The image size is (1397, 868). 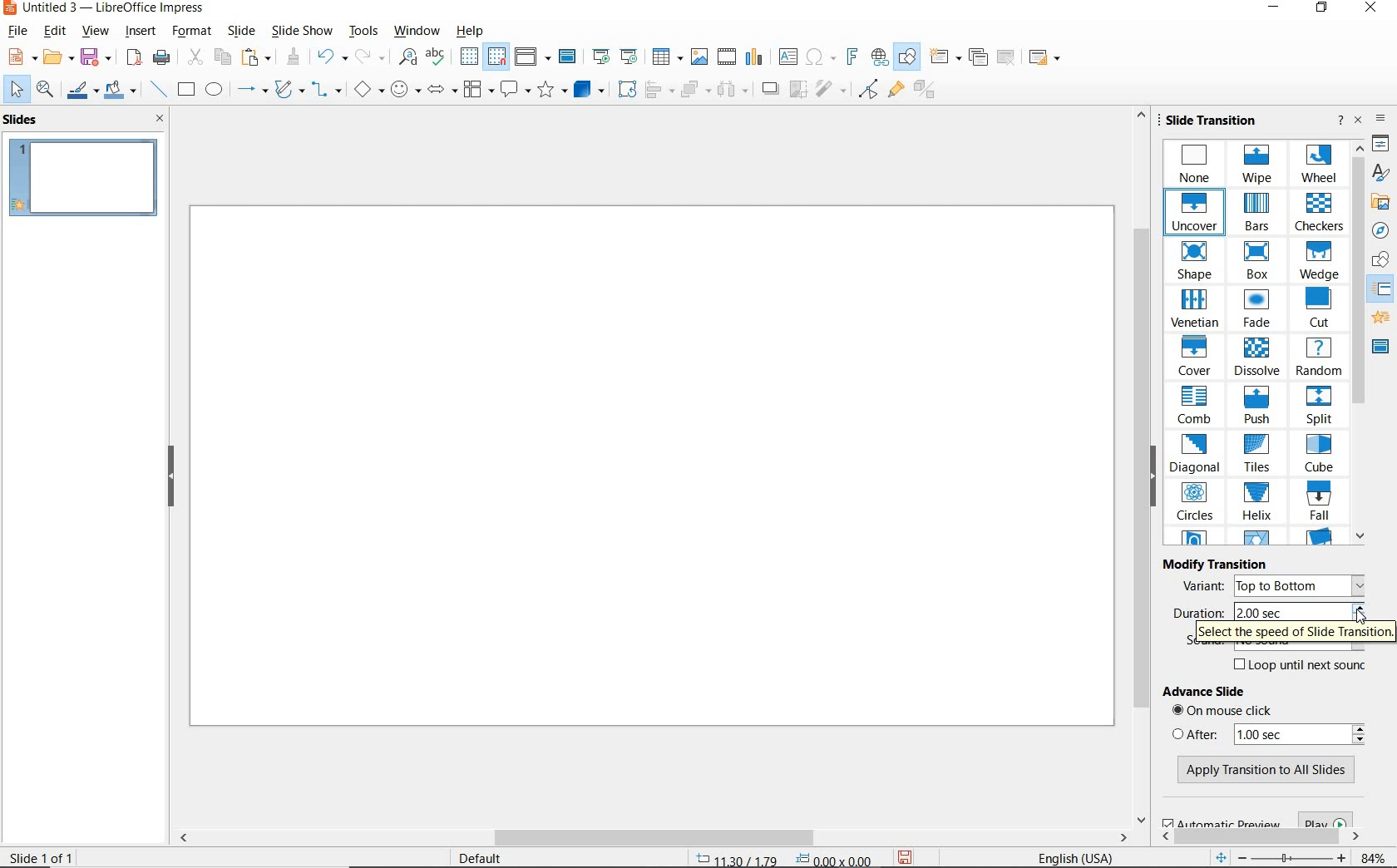 What do you see at coordinates (1381, 172) in the screenshot?
I see `STYLES` at bounding box center [1381, 172].